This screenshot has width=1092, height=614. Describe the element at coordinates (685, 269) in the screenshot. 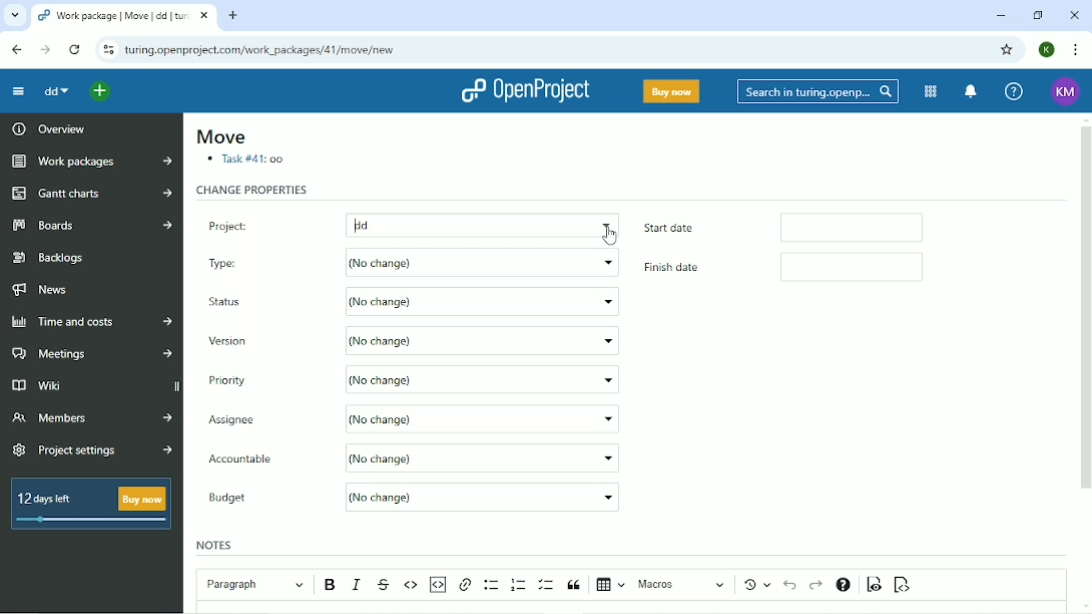

I see `Finish date` at that location.